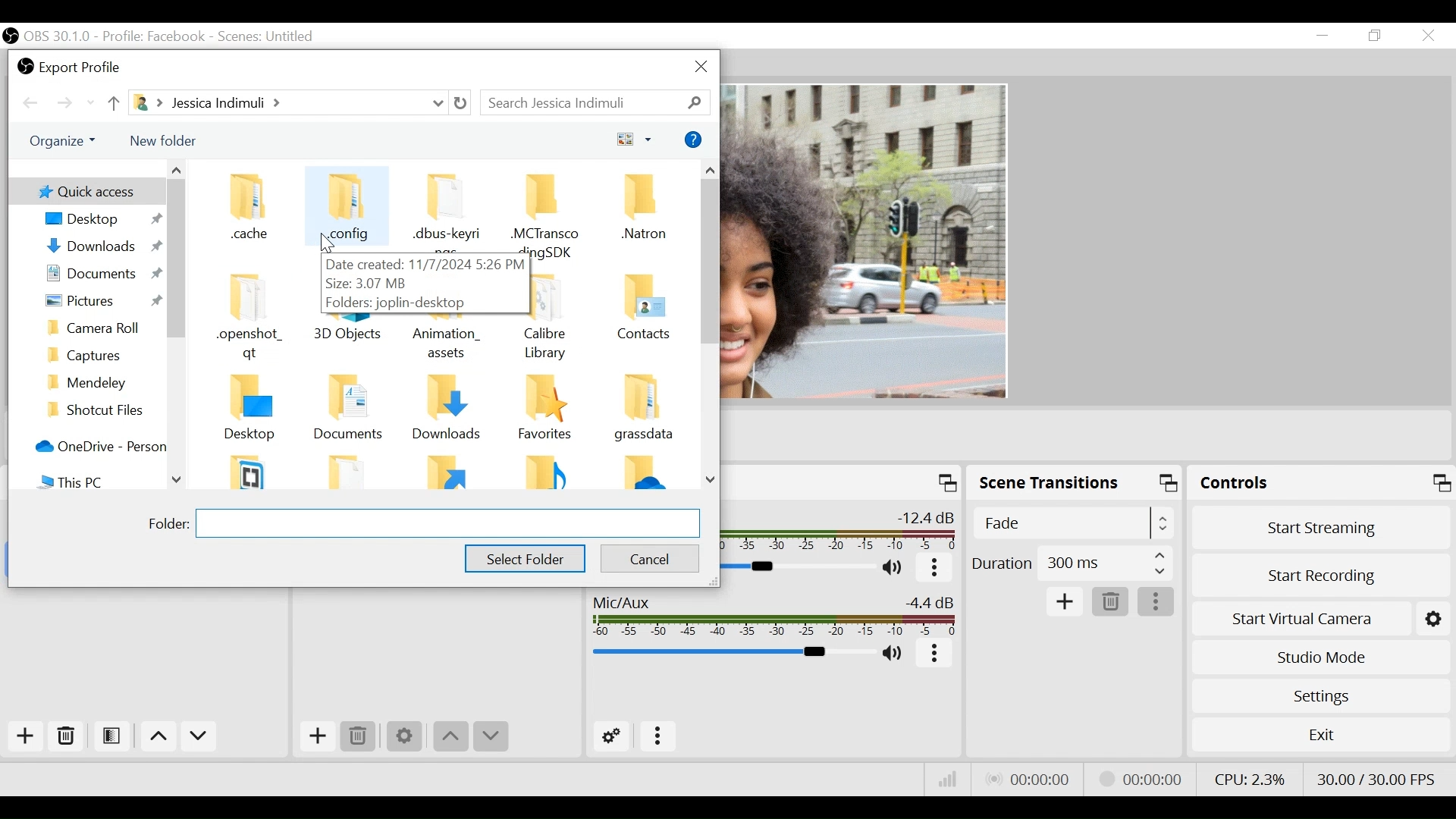 Image resolution: width=1456 pixels, height=819 pixels. What do you see at coordinates (317, 737) in the screenshot?
I see `Add` at bounding box center [317, 737].